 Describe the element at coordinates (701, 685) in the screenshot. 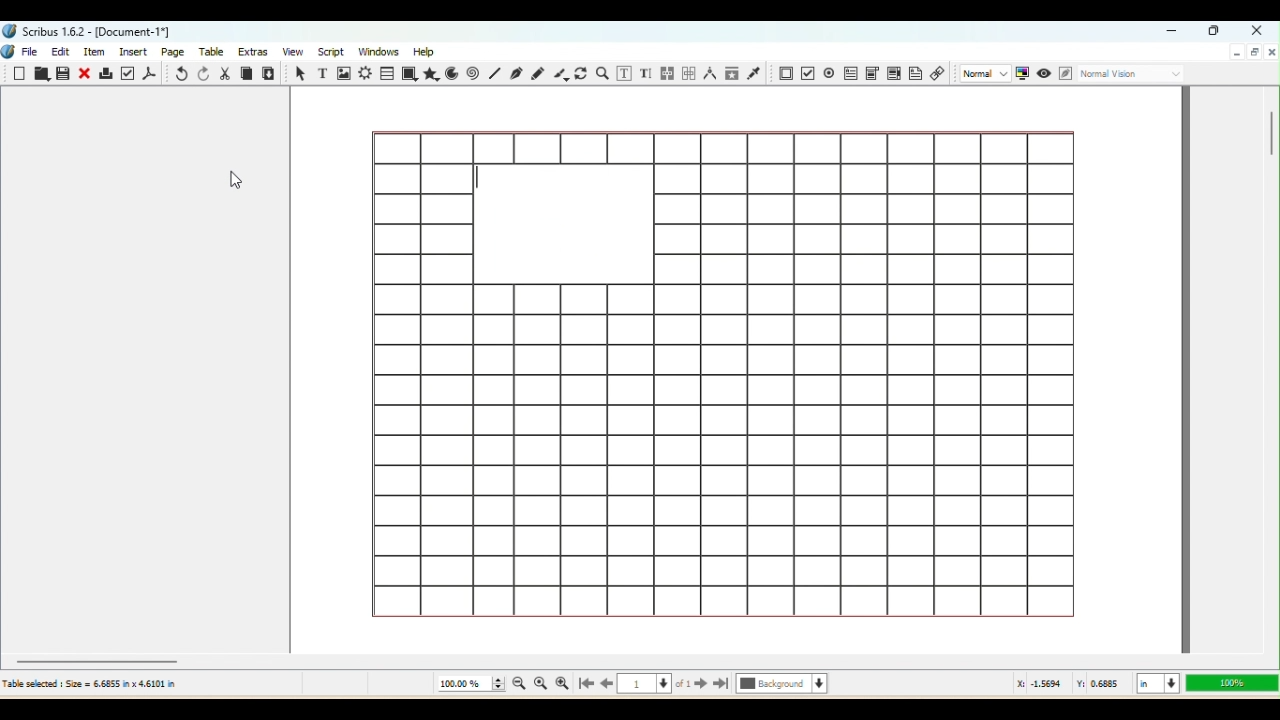

I see `Go to the next page` at that location.